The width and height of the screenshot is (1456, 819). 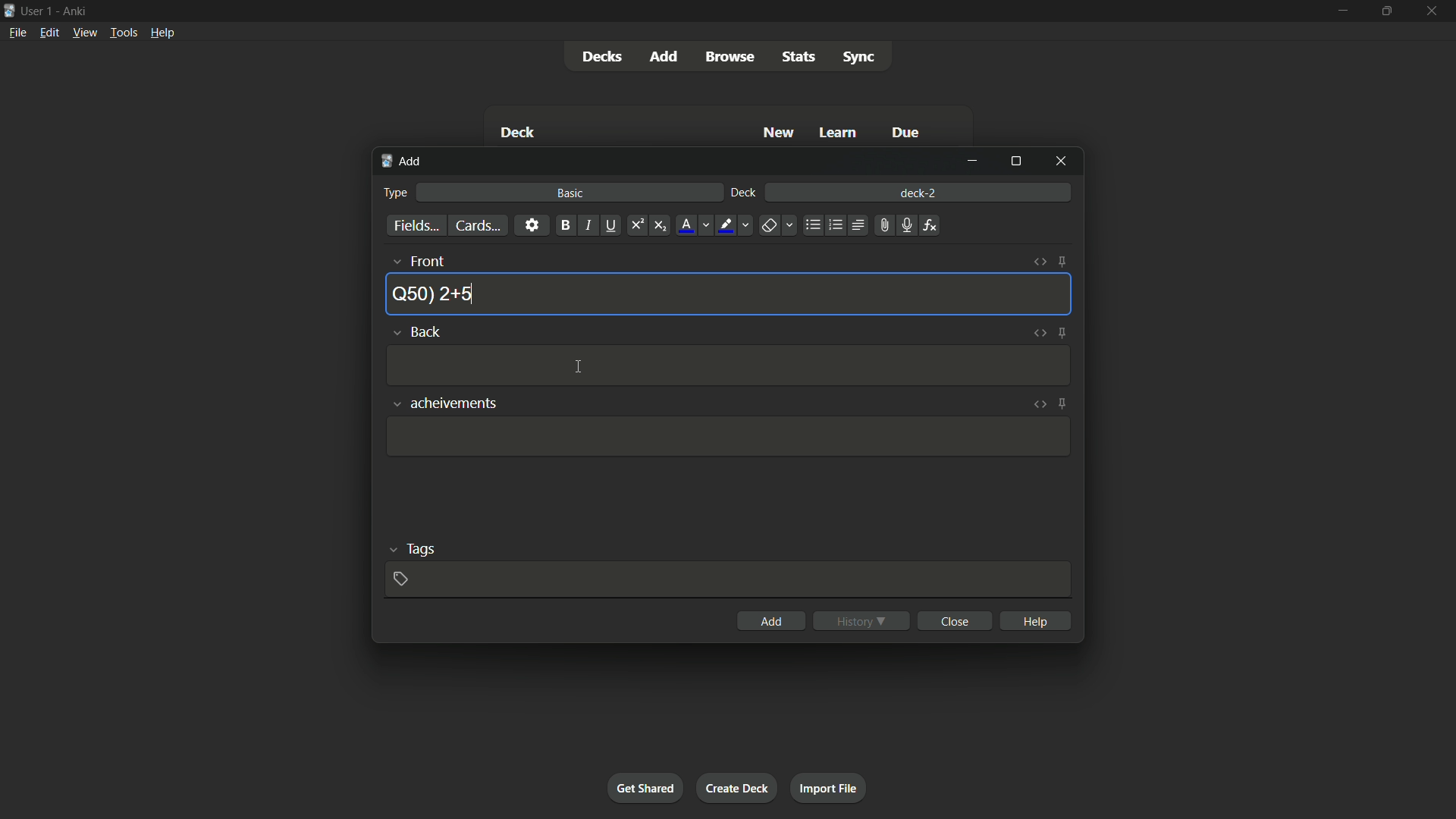 What do you see at coordinates (861, 58) in the screenshot?
I see `sync` at bounding box center [861, 58].